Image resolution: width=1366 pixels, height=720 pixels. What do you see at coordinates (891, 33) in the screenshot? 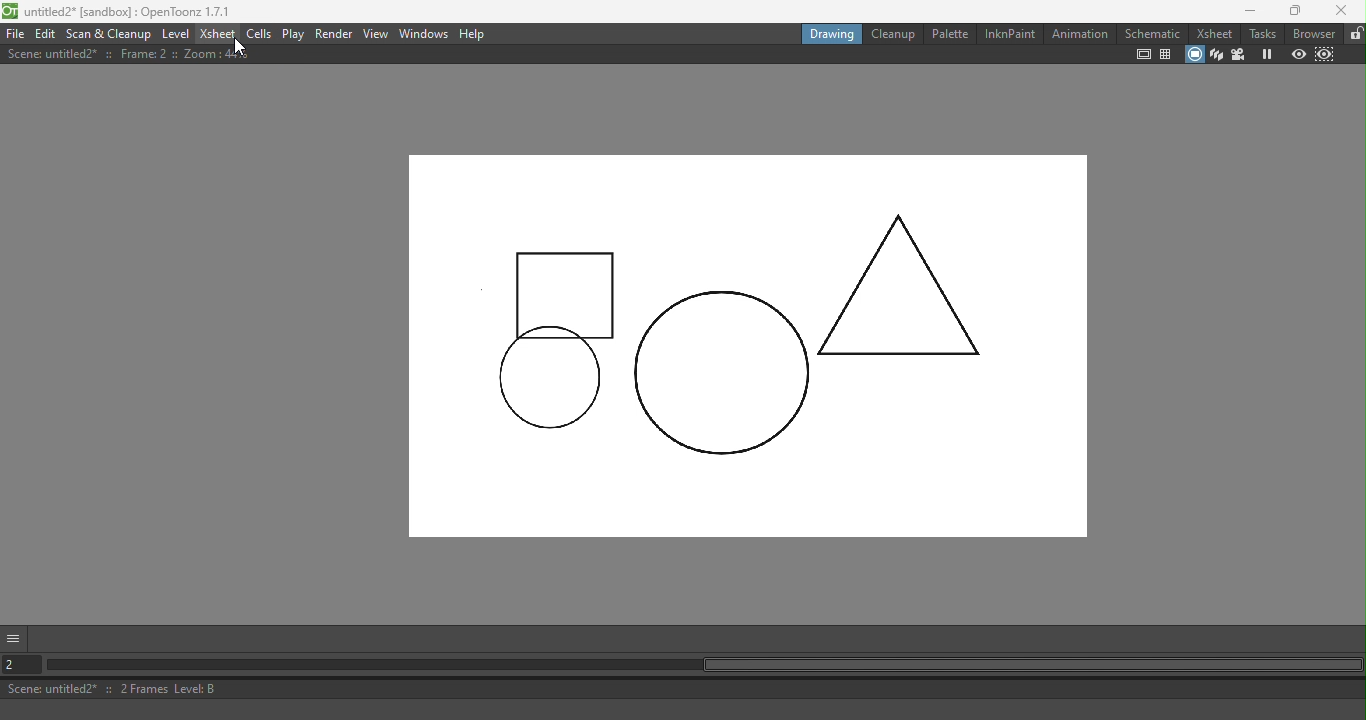
I see `Cleanup` at bounding box center [891, 33].